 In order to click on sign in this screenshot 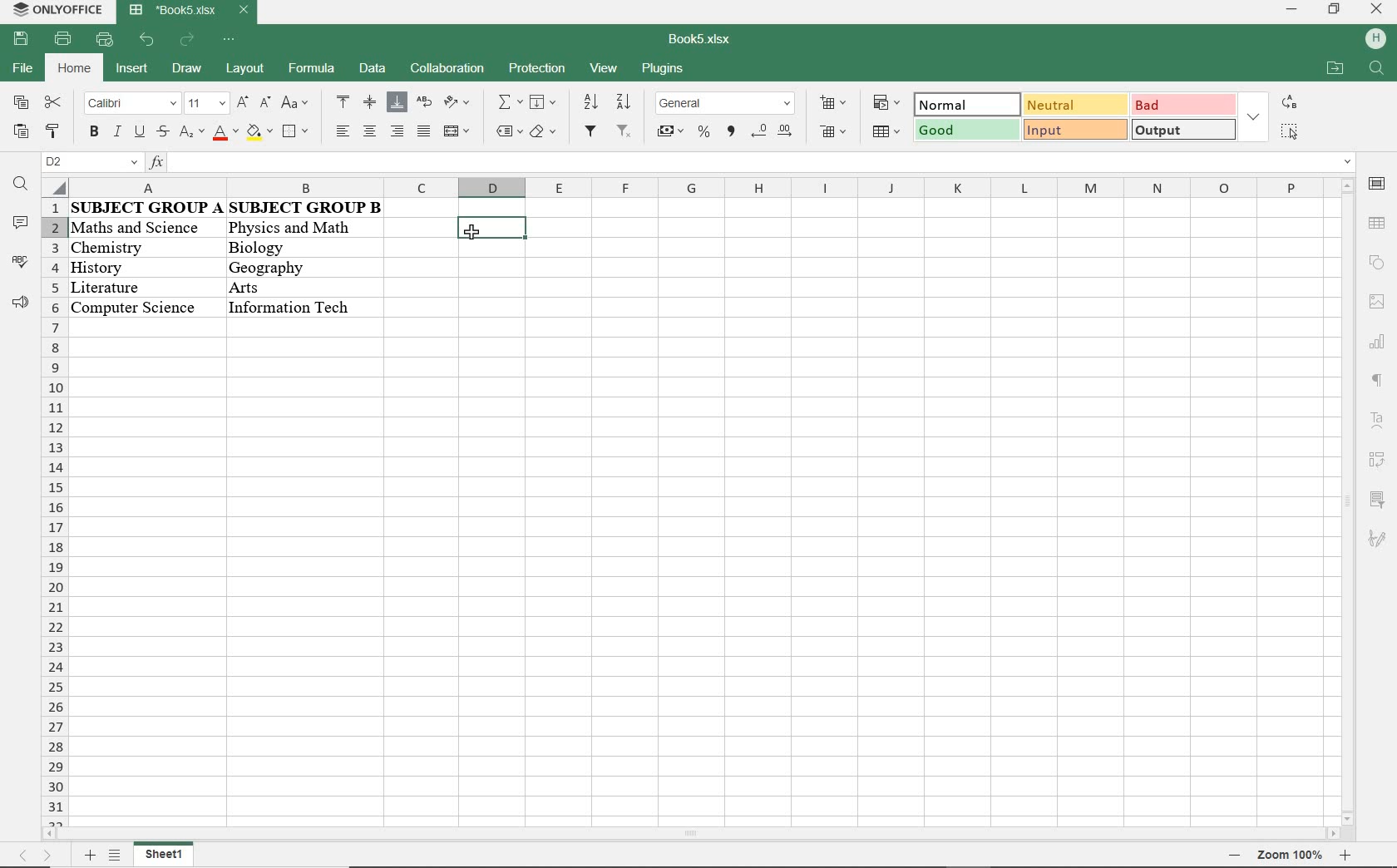, I will do `click(1378, 223)`.